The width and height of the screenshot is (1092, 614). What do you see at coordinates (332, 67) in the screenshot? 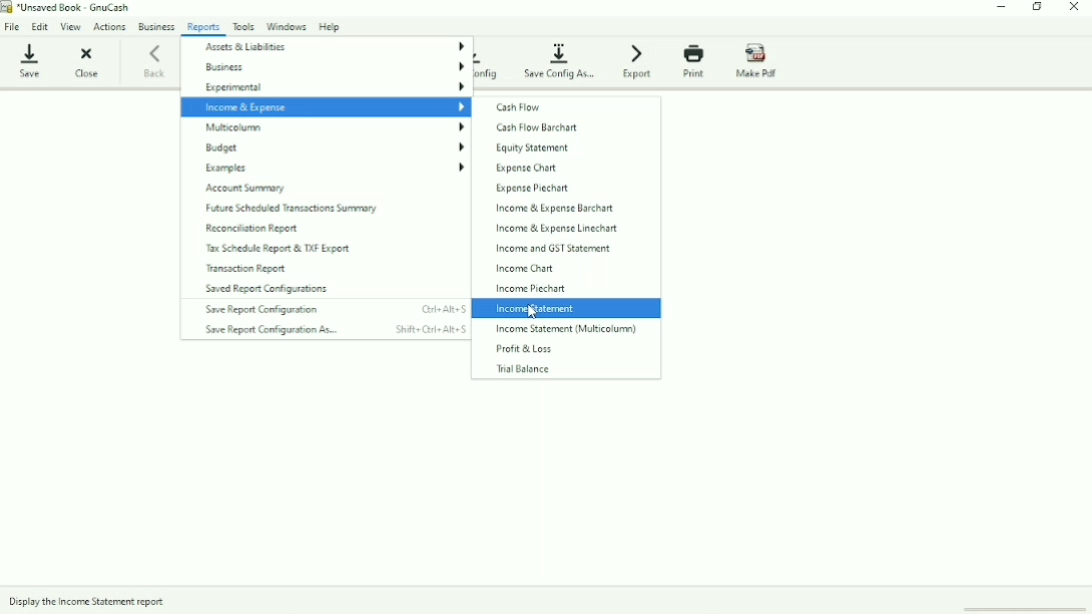
I see `Business` at bounding box center [332, 67].